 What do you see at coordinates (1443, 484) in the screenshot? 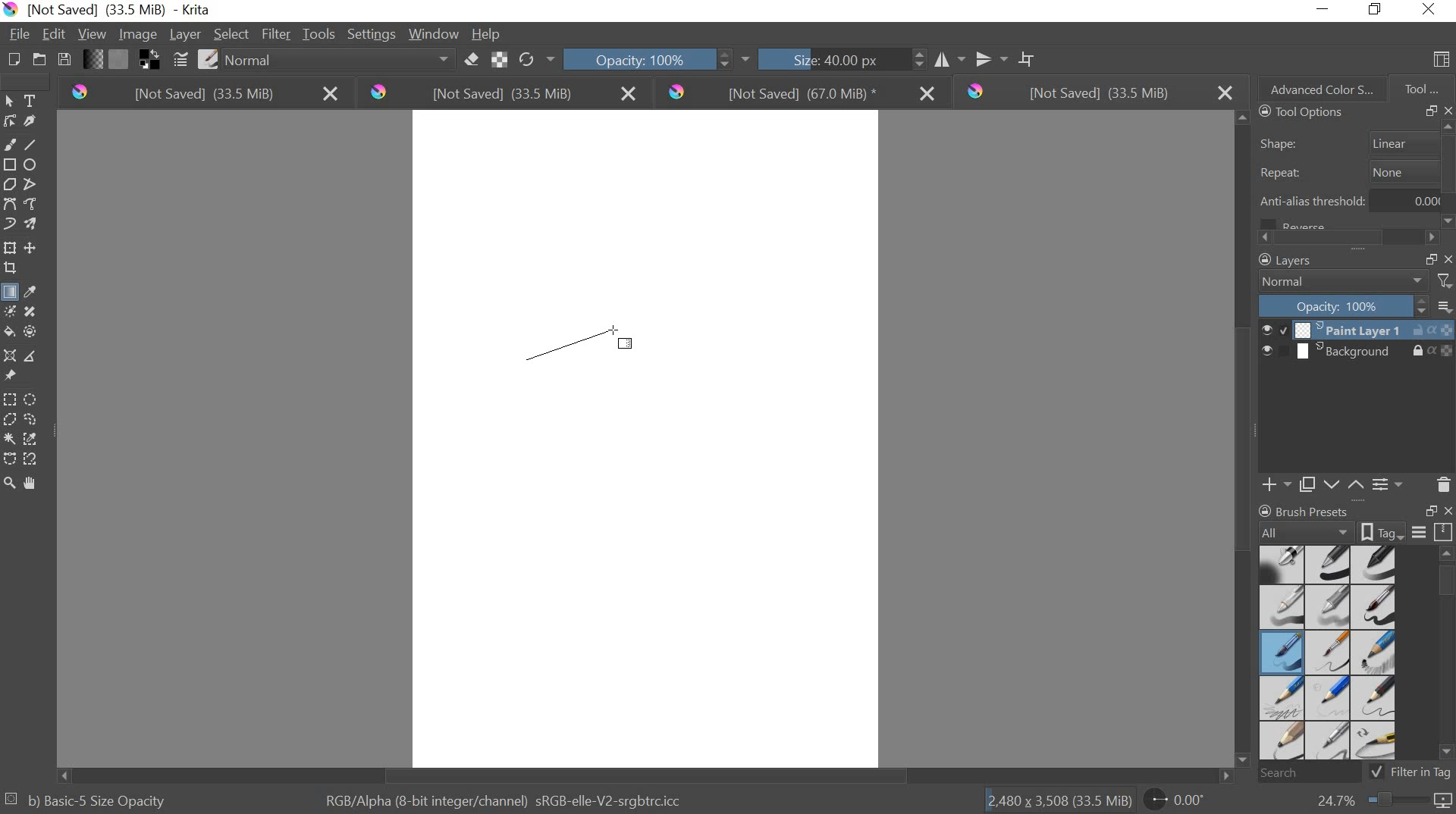
I see `DELETE LAYER OR MASK` at bounding box center [1443, 484].